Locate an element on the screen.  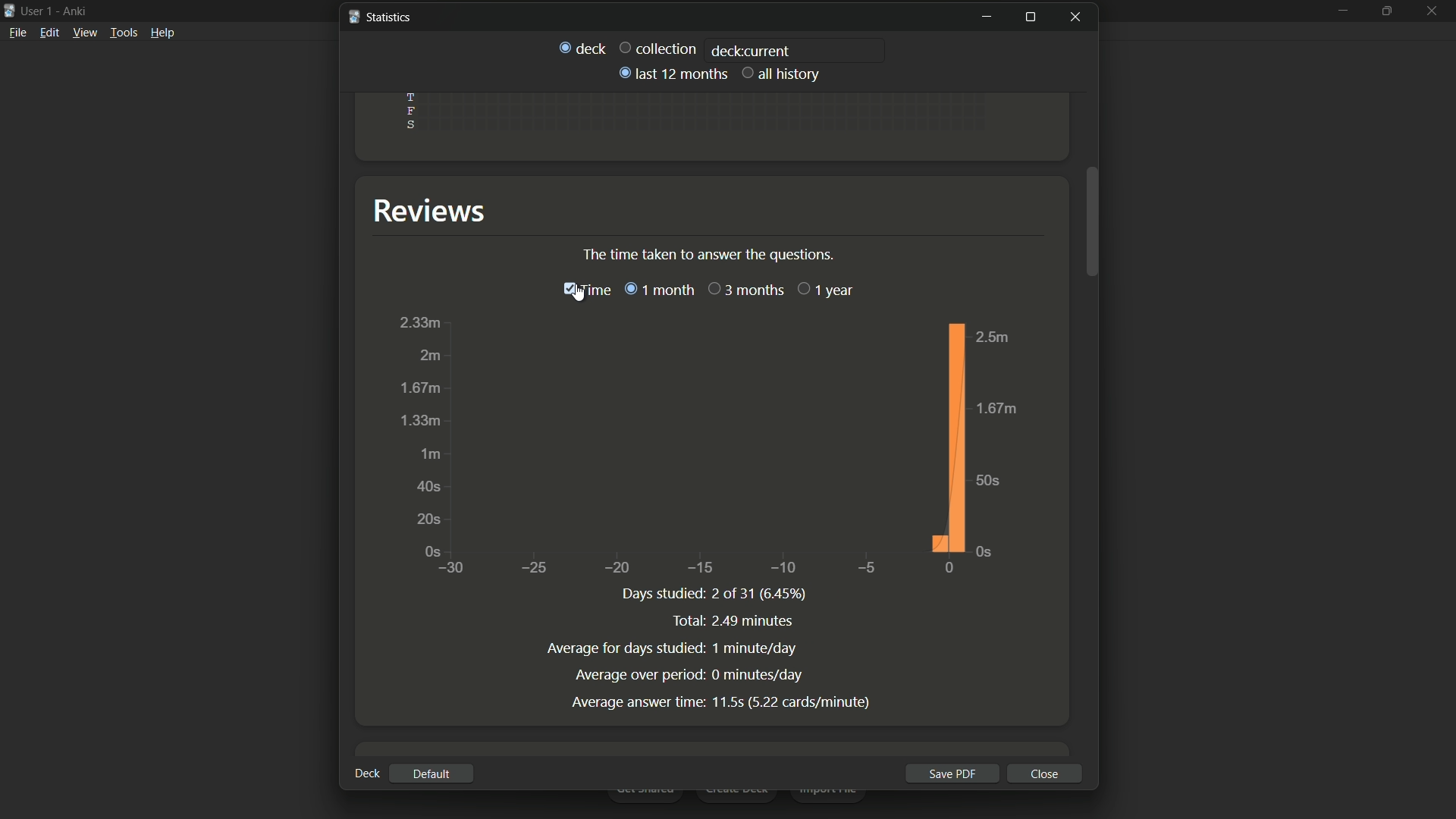
days studied is located at coordinates (665, 597).